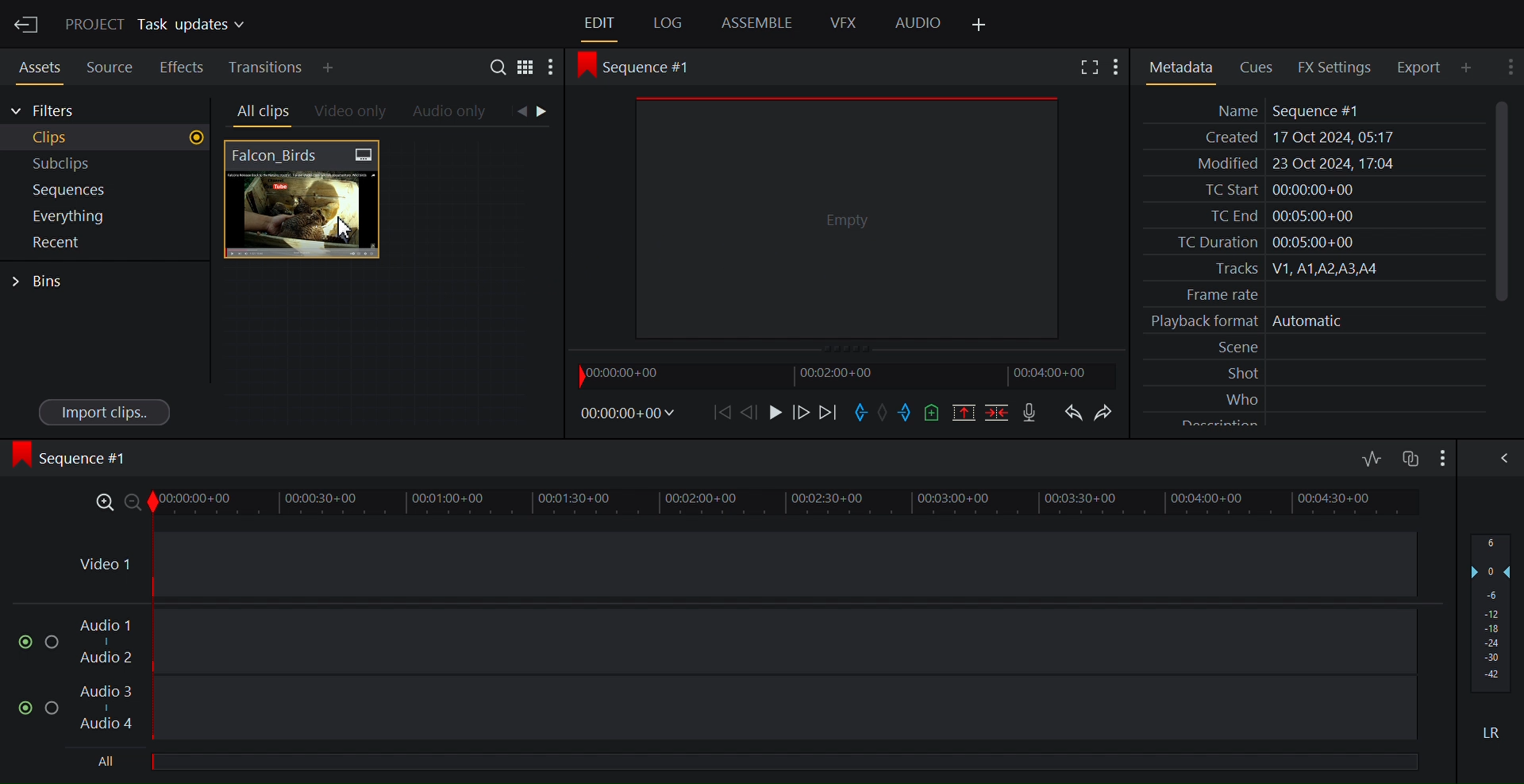 The height and width of the screenshot is (784, 1524). Describe the element at coordinates (267, 67) in the screenshot. I see `Transitition` at that location.